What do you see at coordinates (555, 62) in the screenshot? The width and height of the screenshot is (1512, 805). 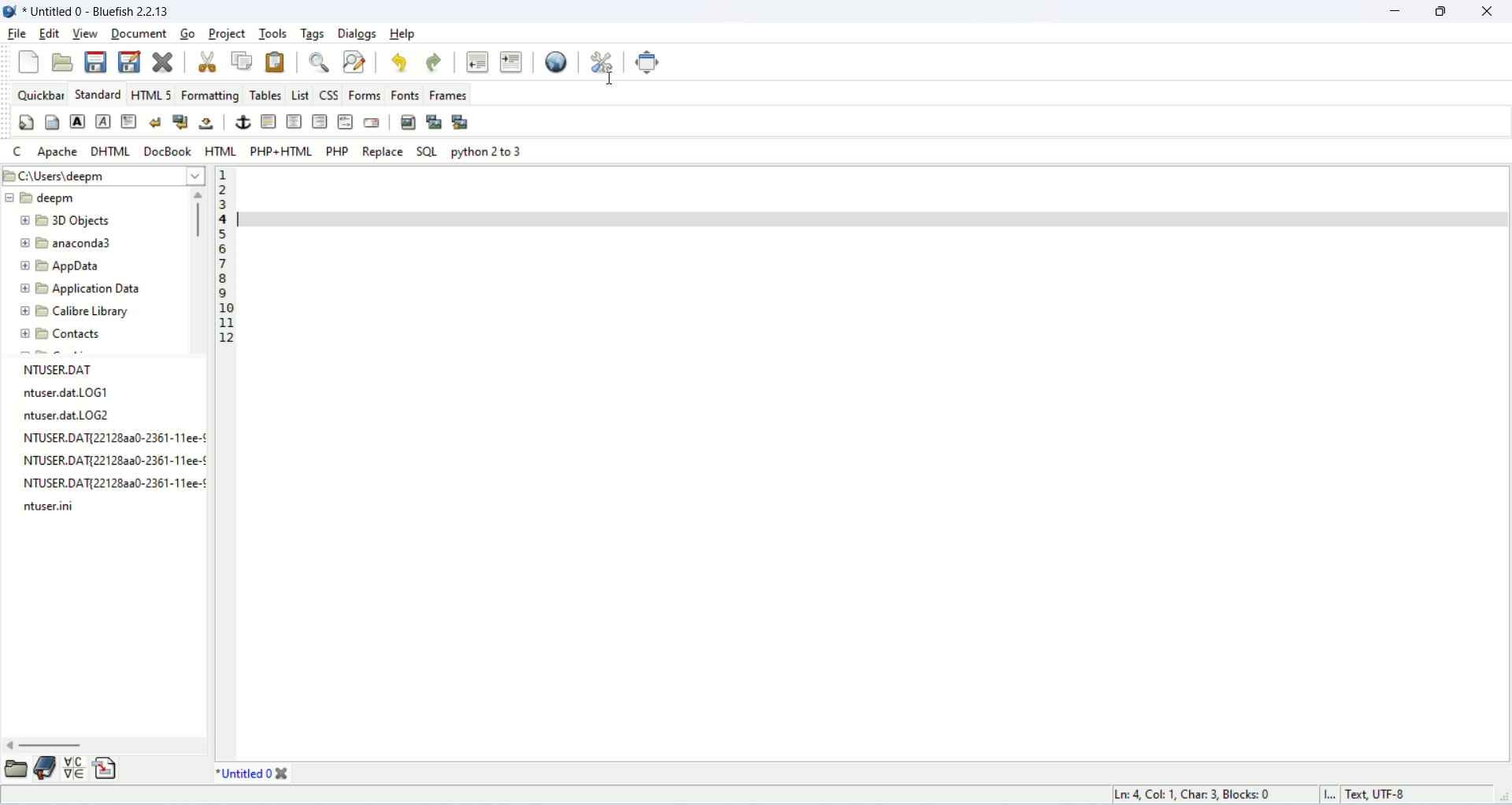 I see `preview in browser` at bounding box center [555, 62].